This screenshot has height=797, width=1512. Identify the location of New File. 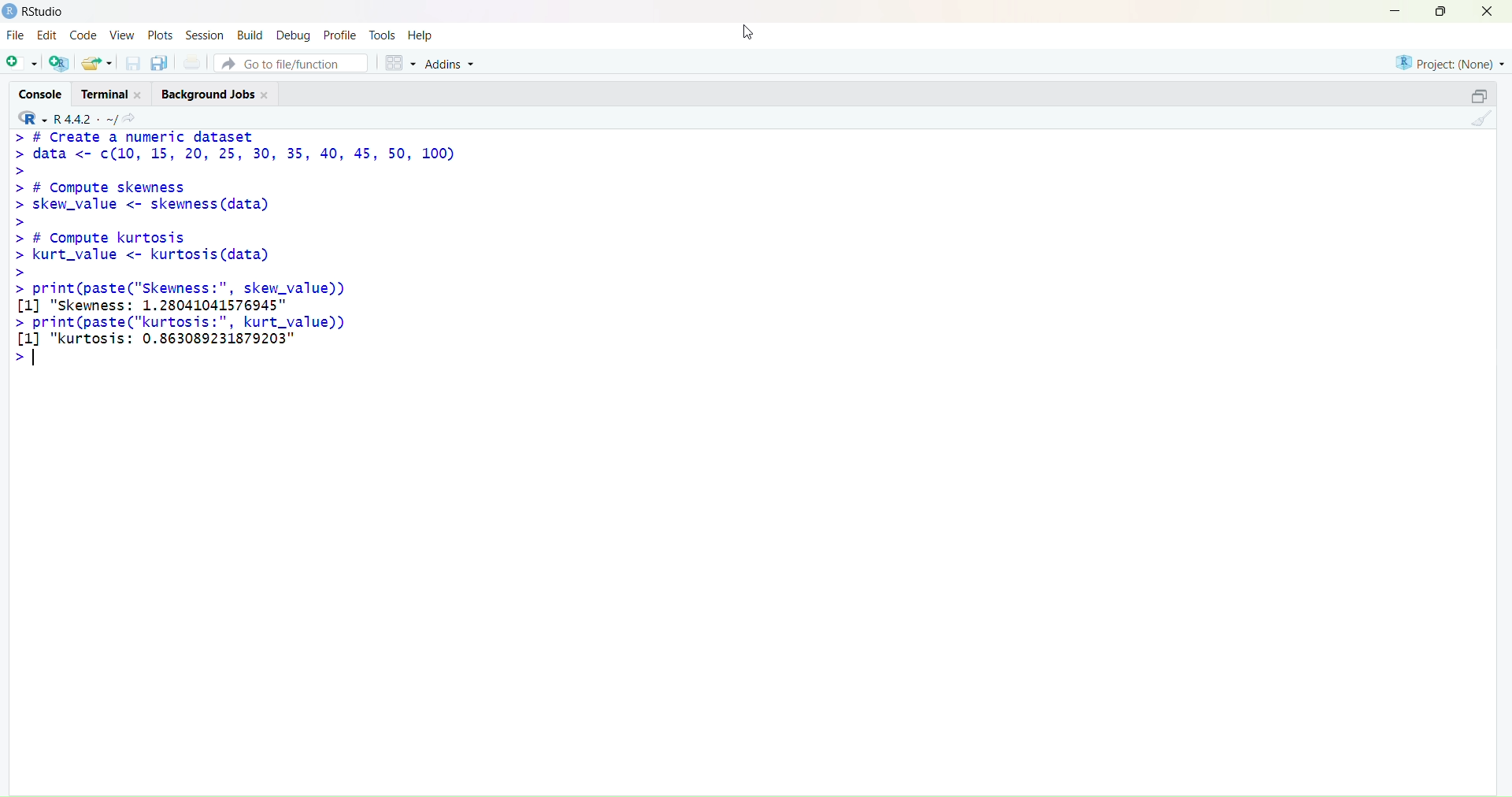
(20, 62).